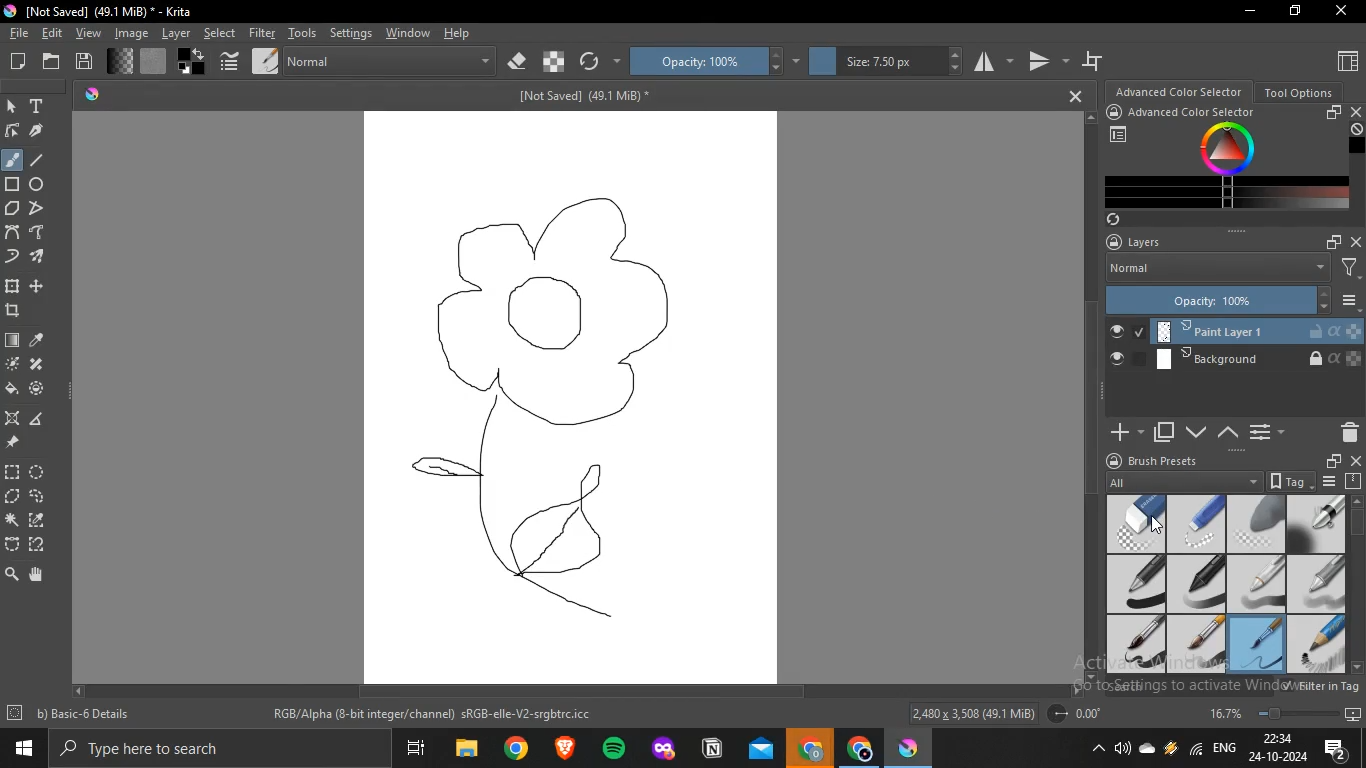 The width and height of the screenshot is (1366, 768). What do you see at coordinates (10, 365) in the screenshot?
I see `colorize mask tool` at bounding box center [10, 365].